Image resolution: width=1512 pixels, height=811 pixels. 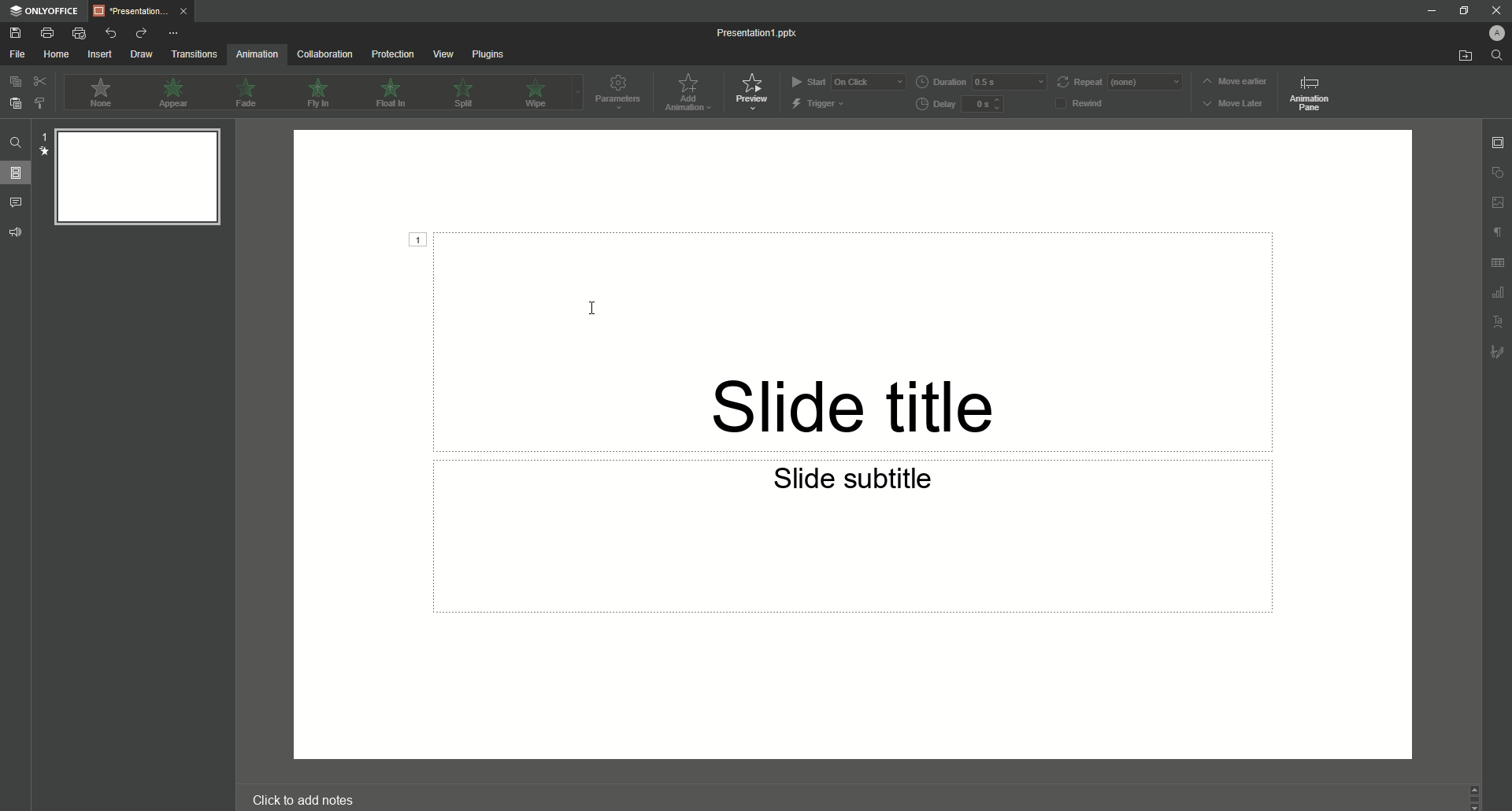 What do you see at coordinates (57, 55) in the screenshot?
I see `Home` at bounding box center [57, 55].